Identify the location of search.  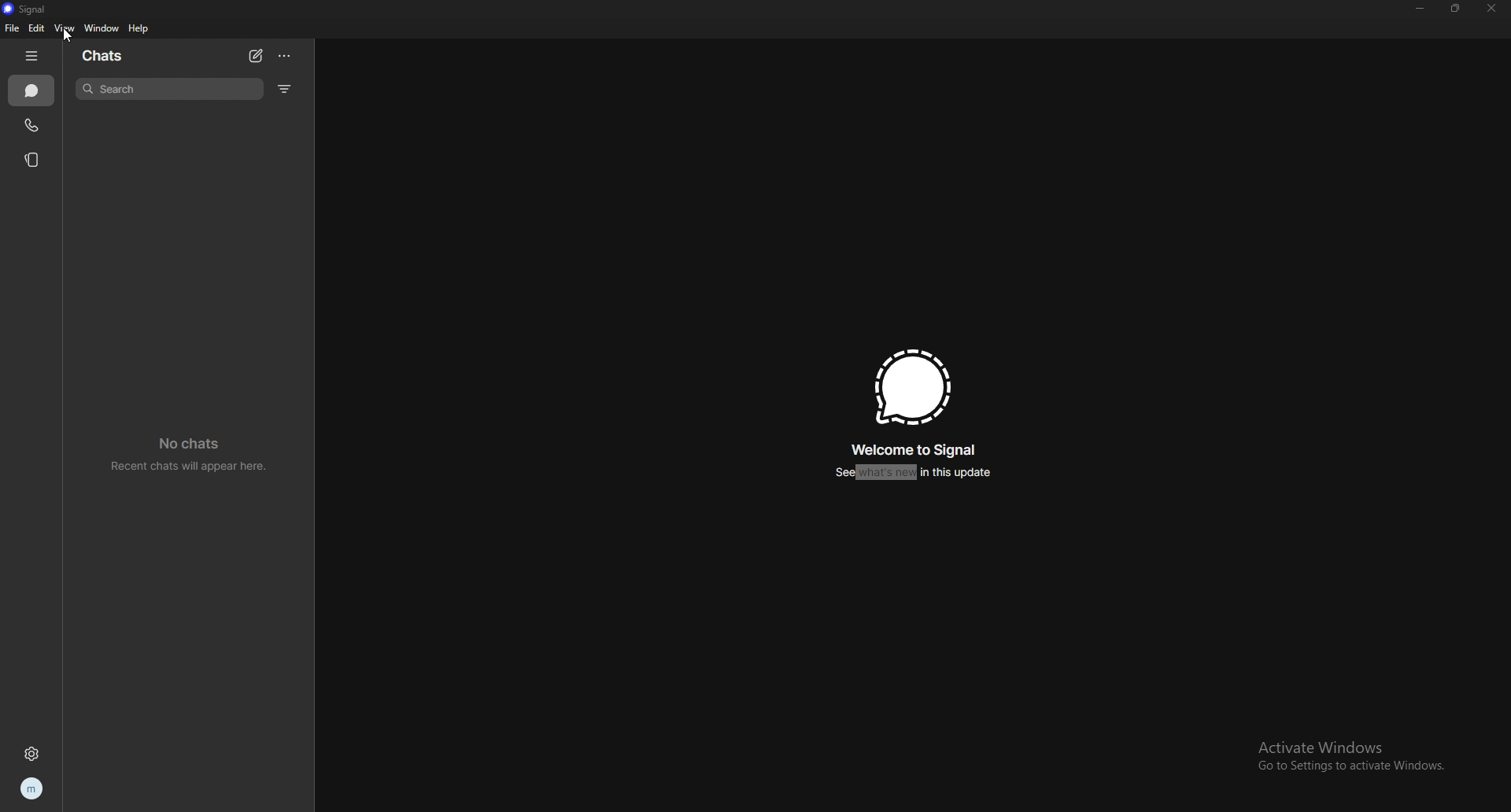
(170, 90).